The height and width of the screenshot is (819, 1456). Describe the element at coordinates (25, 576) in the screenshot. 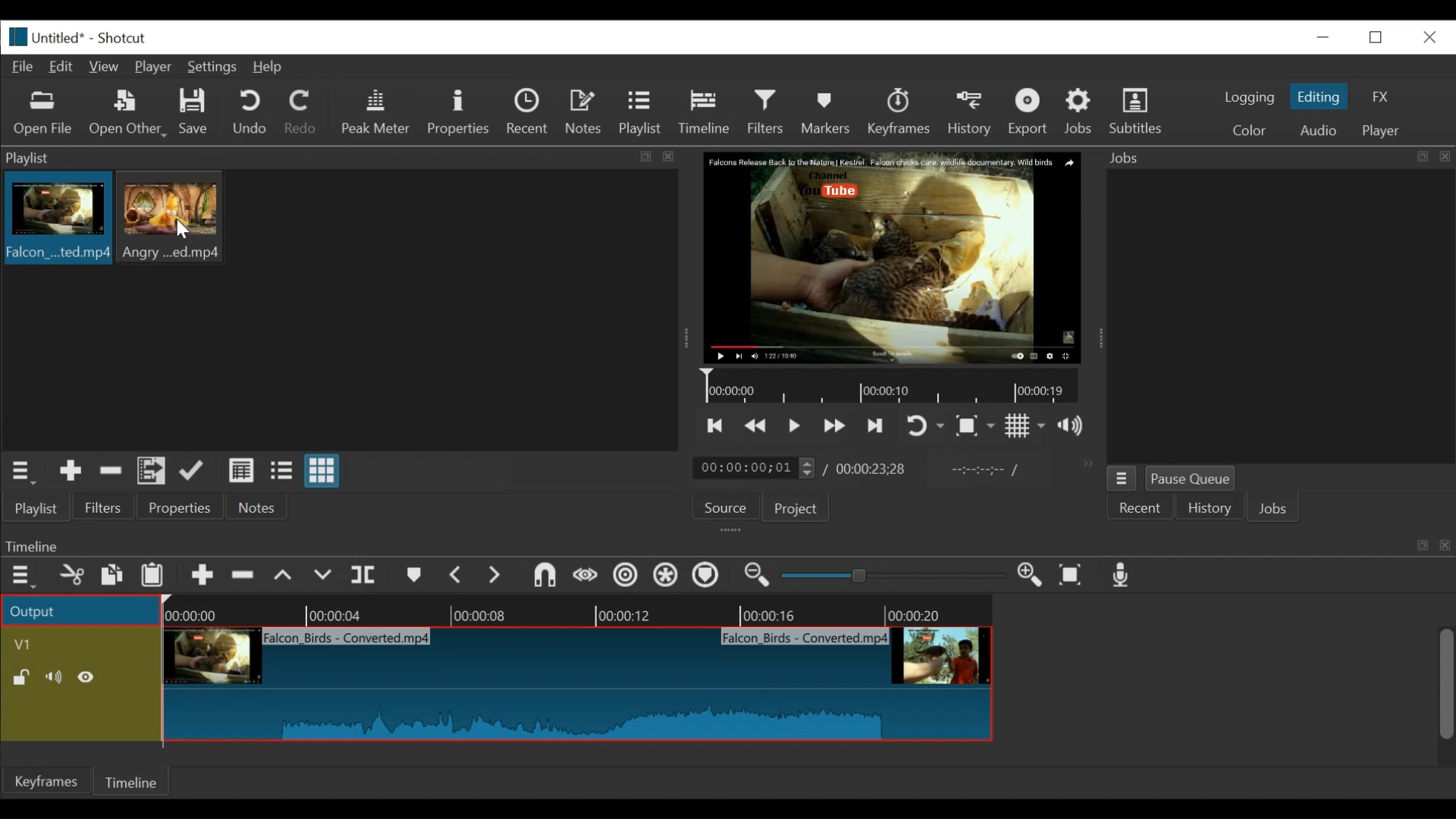

I see `Timeline menu` at that location.